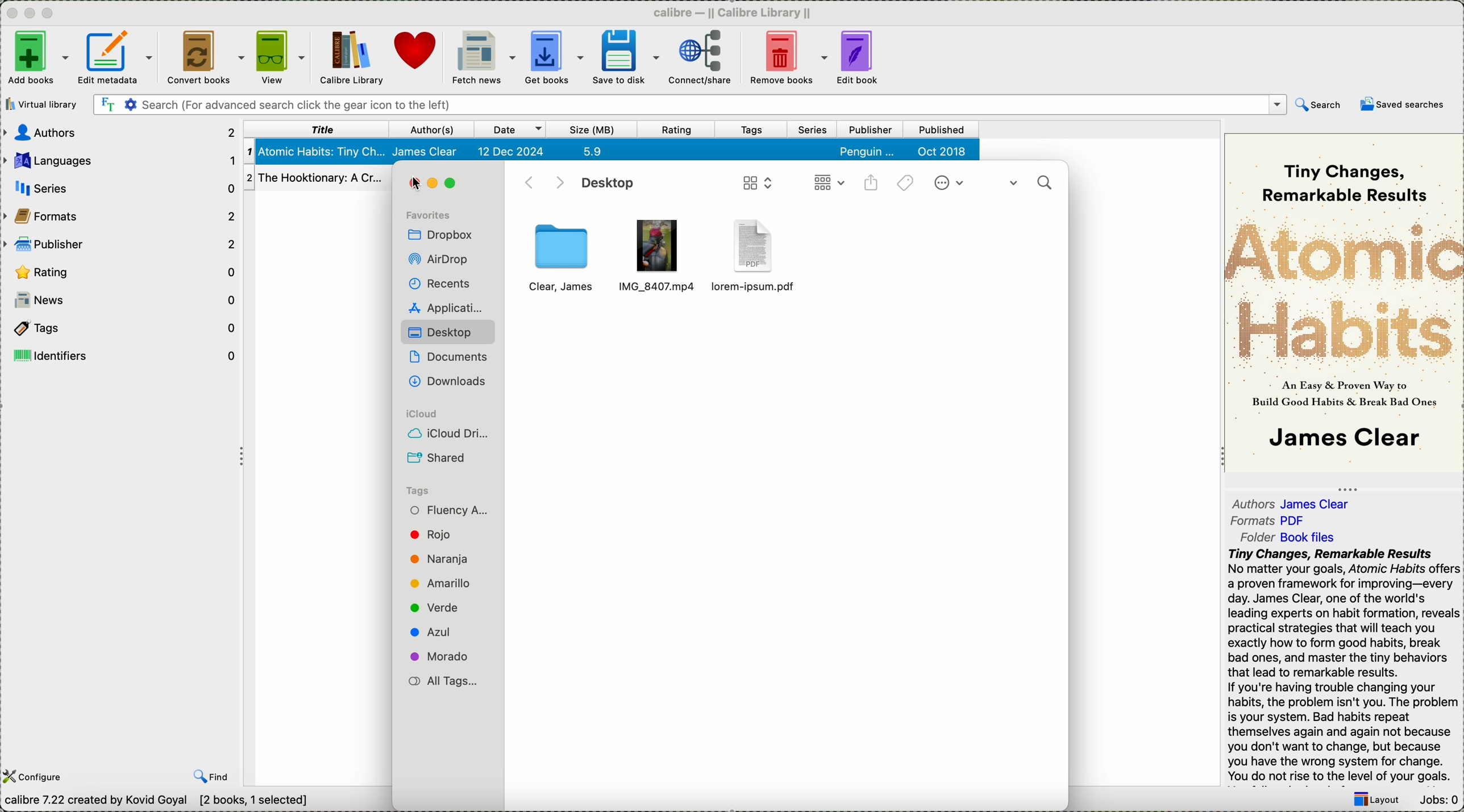  What do you see at coordinates (826, 184) in the screenshot?
I see `icon` at bounding box center [826, 184].